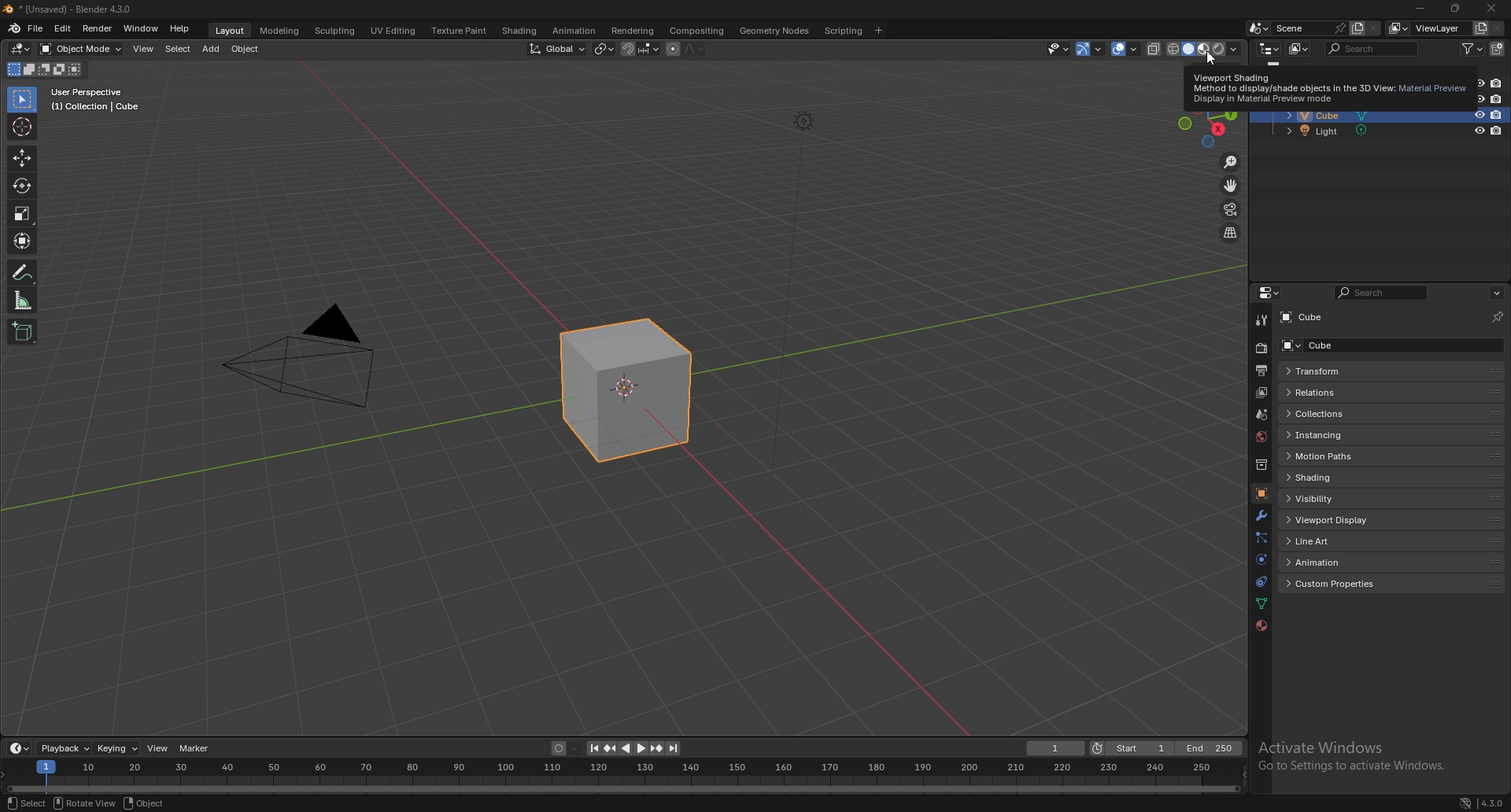 The image size is (1511, 812). Describe the element at coordinates (1260, 349) in the screenshot. I see `render` at that location.